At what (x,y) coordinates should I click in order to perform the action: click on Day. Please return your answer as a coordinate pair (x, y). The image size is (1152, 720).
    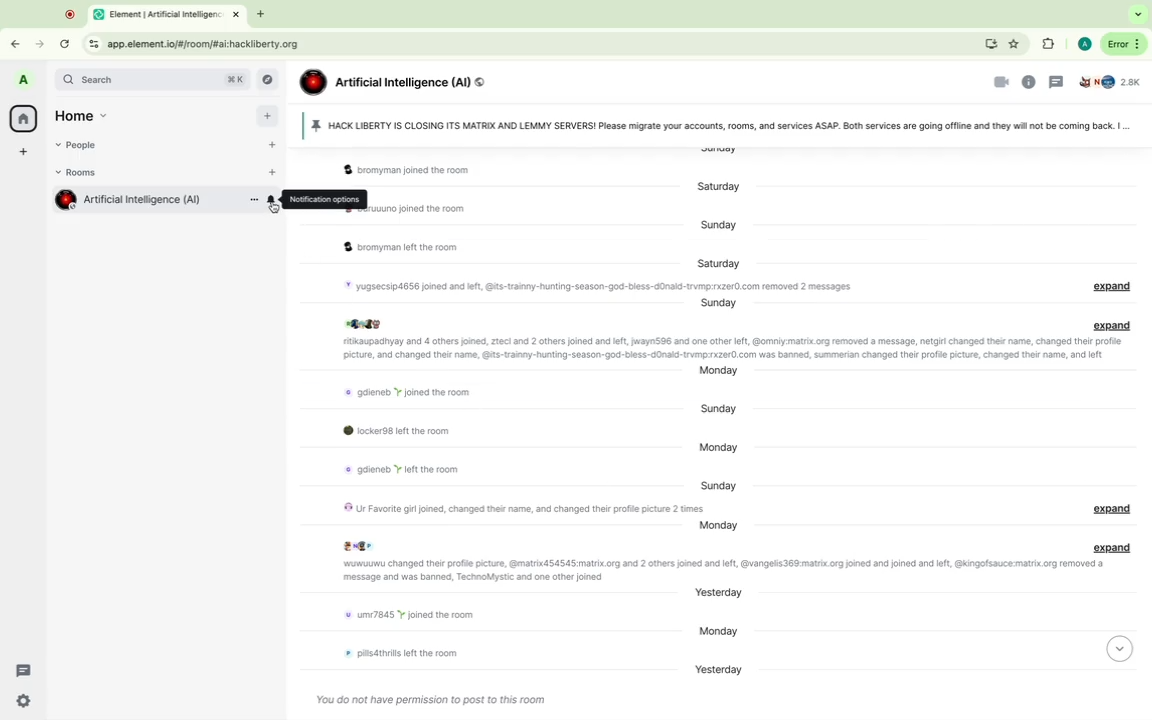
    Looking at the image, I should click on (714, 187).